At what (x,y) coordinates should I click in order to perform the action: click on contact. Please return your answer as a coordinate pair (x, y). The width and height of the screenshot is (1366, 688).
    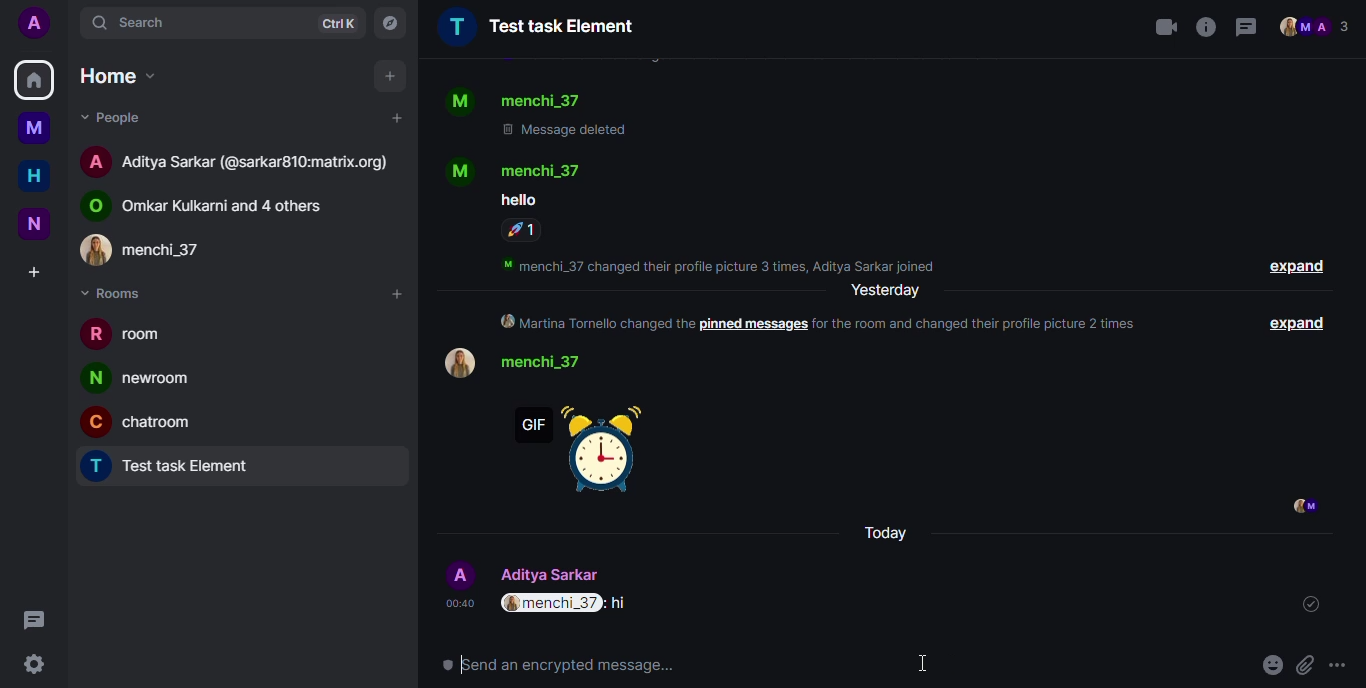
    Looking at the image, I should click on (527, 575).